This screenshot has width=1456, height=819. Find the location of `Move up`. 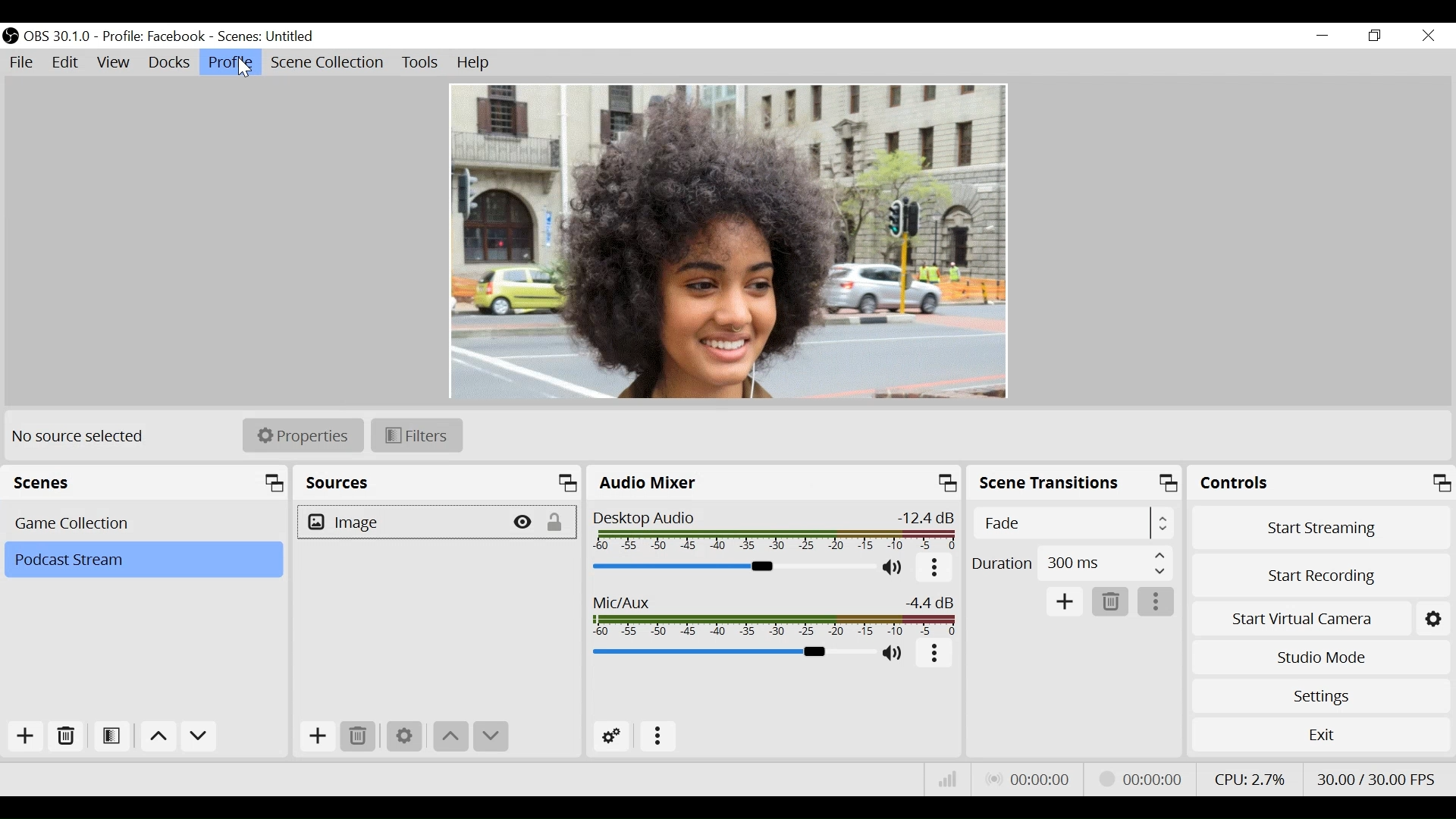

Move up is located at coordinates (158, 736).